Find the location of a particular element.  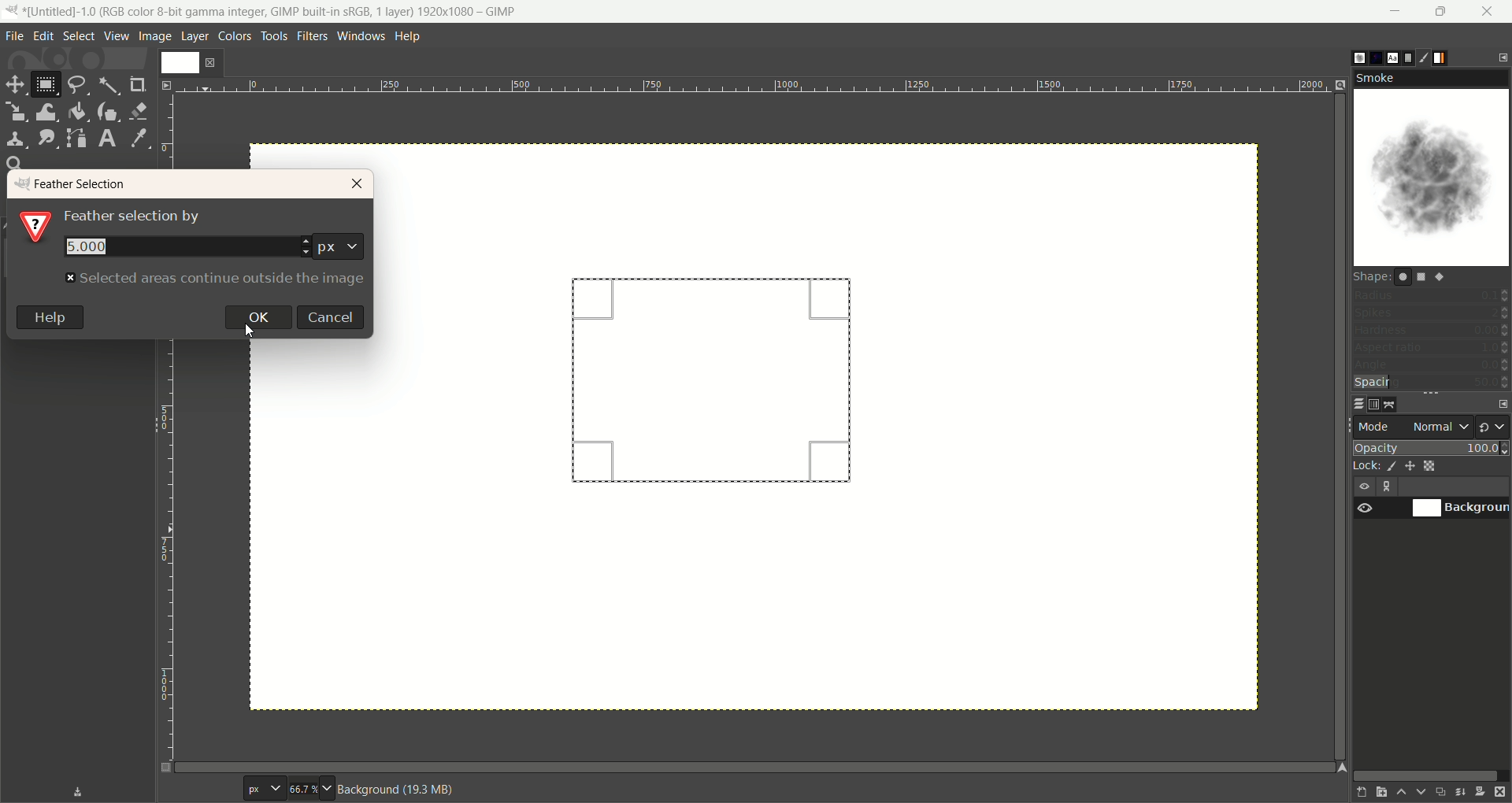

layer is located at coordinates (195, 36).